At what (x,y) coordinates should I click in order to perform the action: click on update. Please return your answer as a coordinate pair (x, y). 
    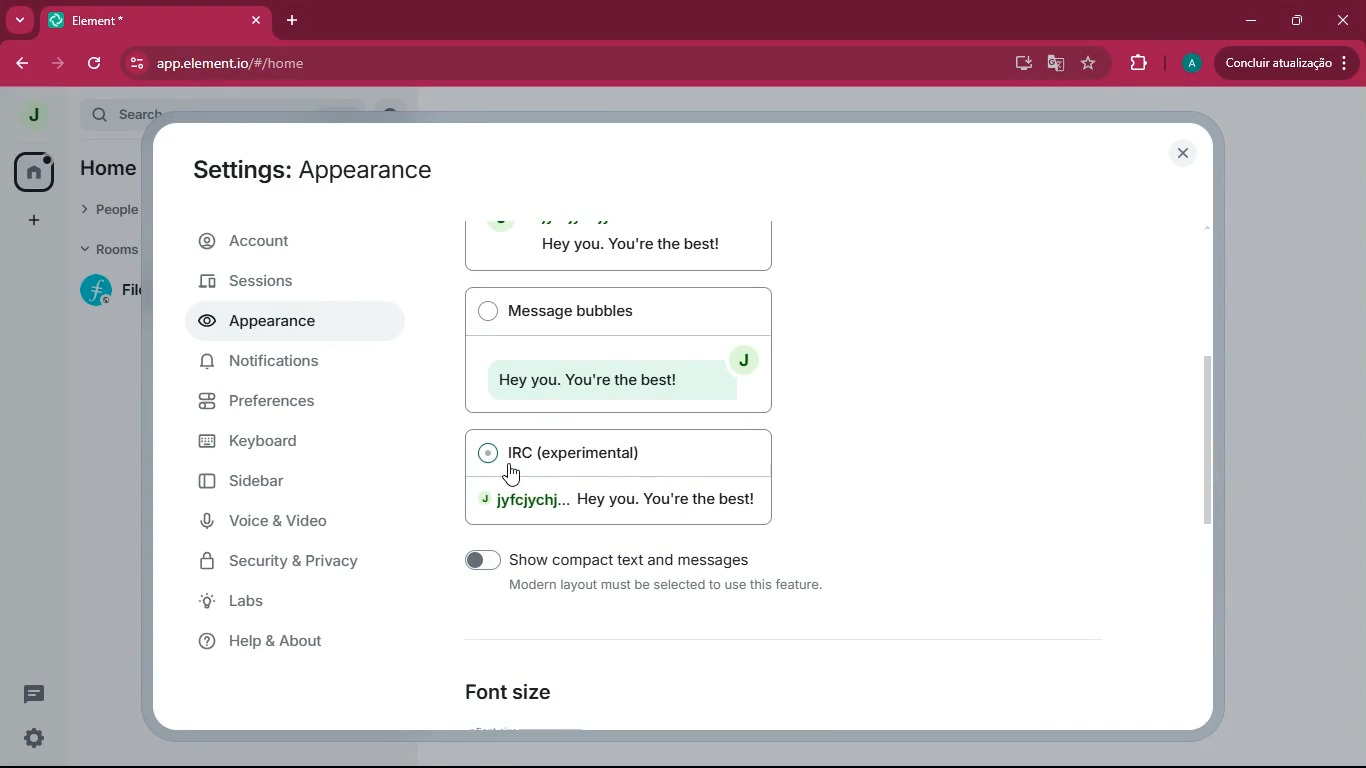
    Looking at the image, I should click on (1286, 65).